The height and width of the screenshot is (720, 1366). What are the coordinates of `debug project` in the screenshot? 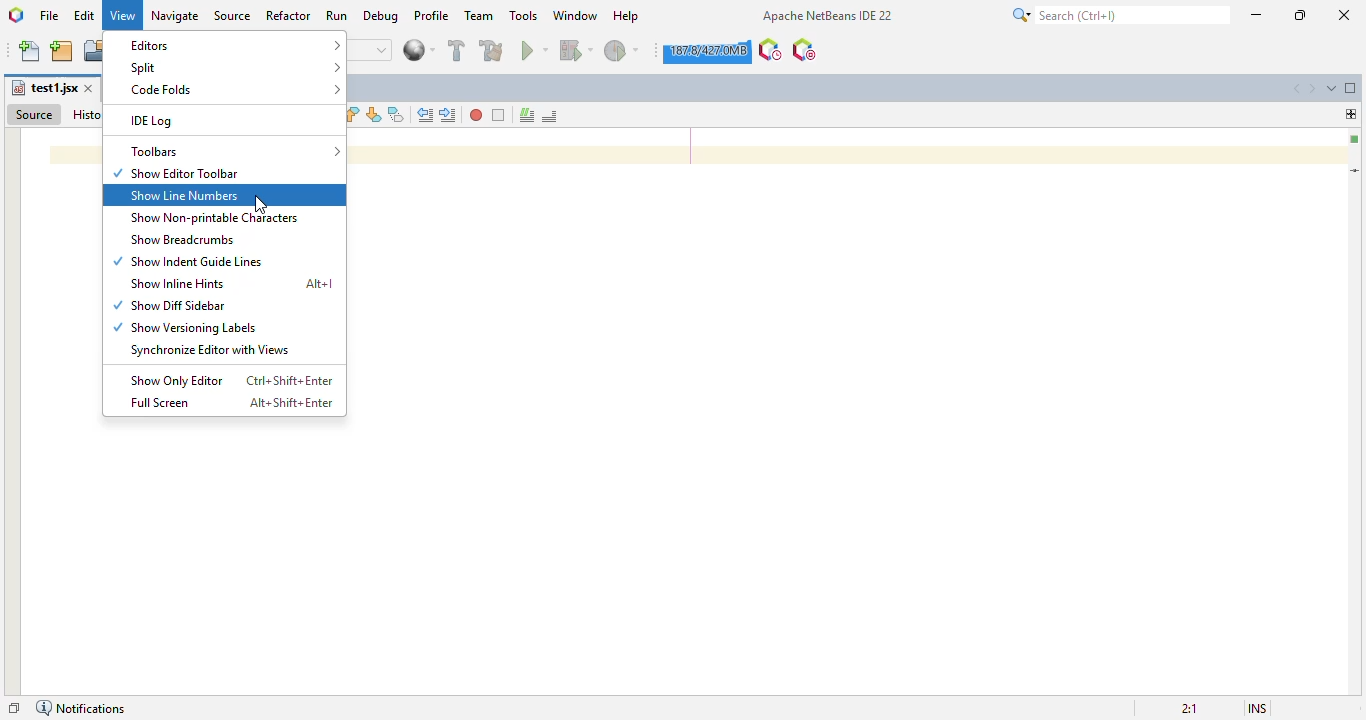 It's located at (577, 50).